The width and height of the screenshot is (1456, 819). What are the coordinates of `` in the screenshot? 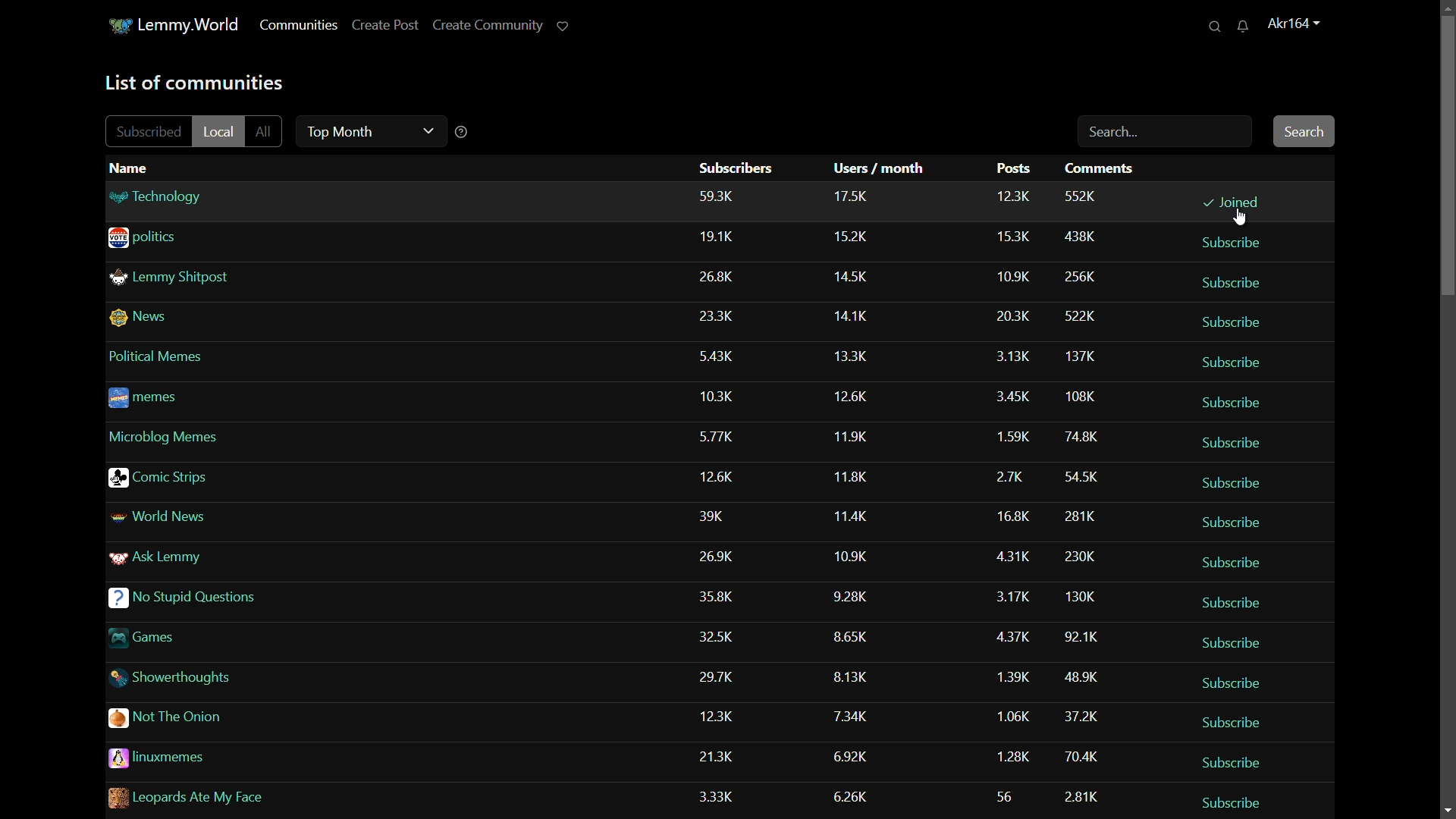 It's located at (271, 637).